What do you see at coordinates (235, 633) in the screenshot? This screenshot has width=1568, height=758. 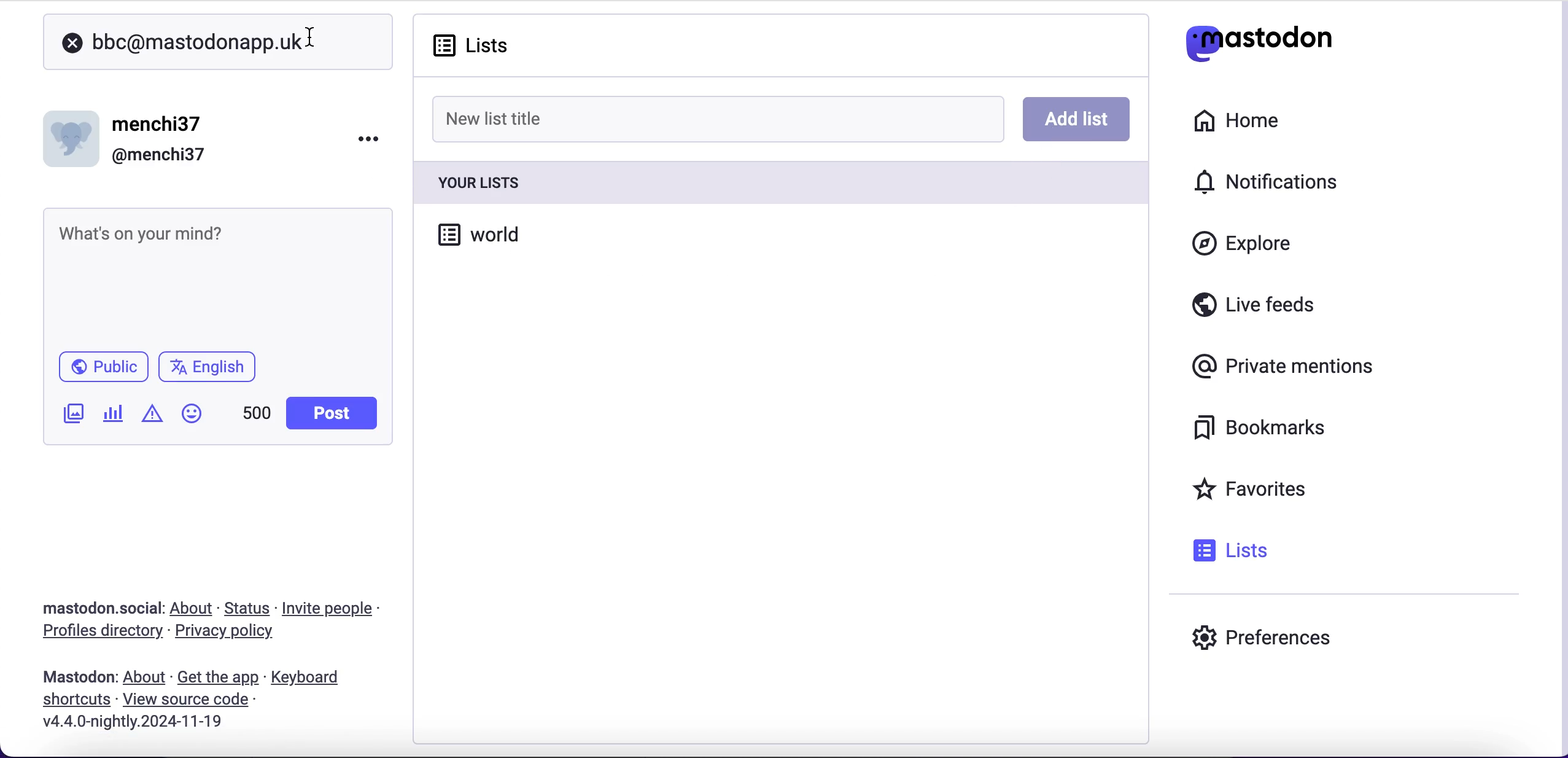 I see `privacy policy` at bounding box center [235, 633].